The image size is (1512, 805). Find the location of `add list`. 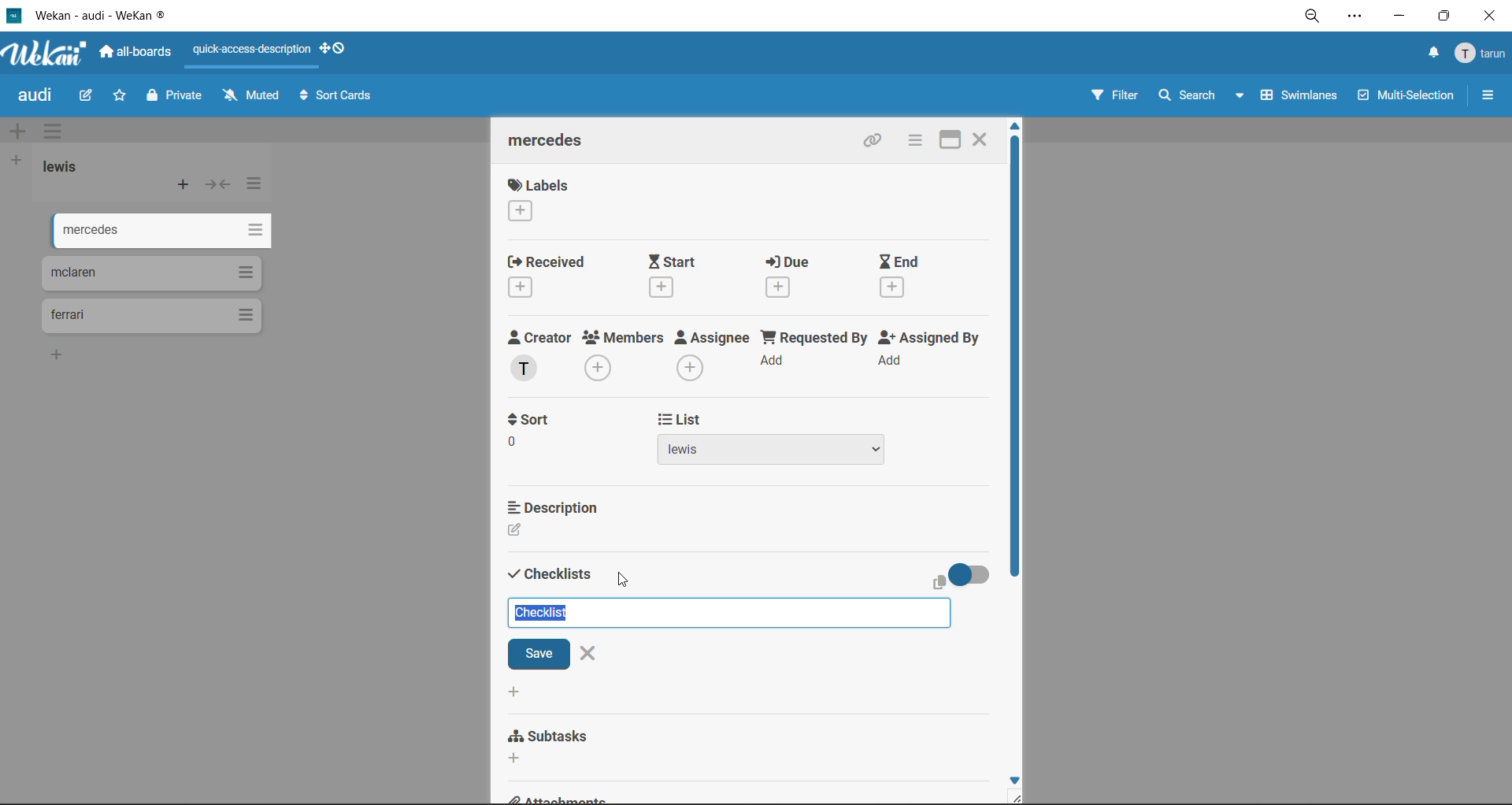

add list is located at coordinates (17, 161).